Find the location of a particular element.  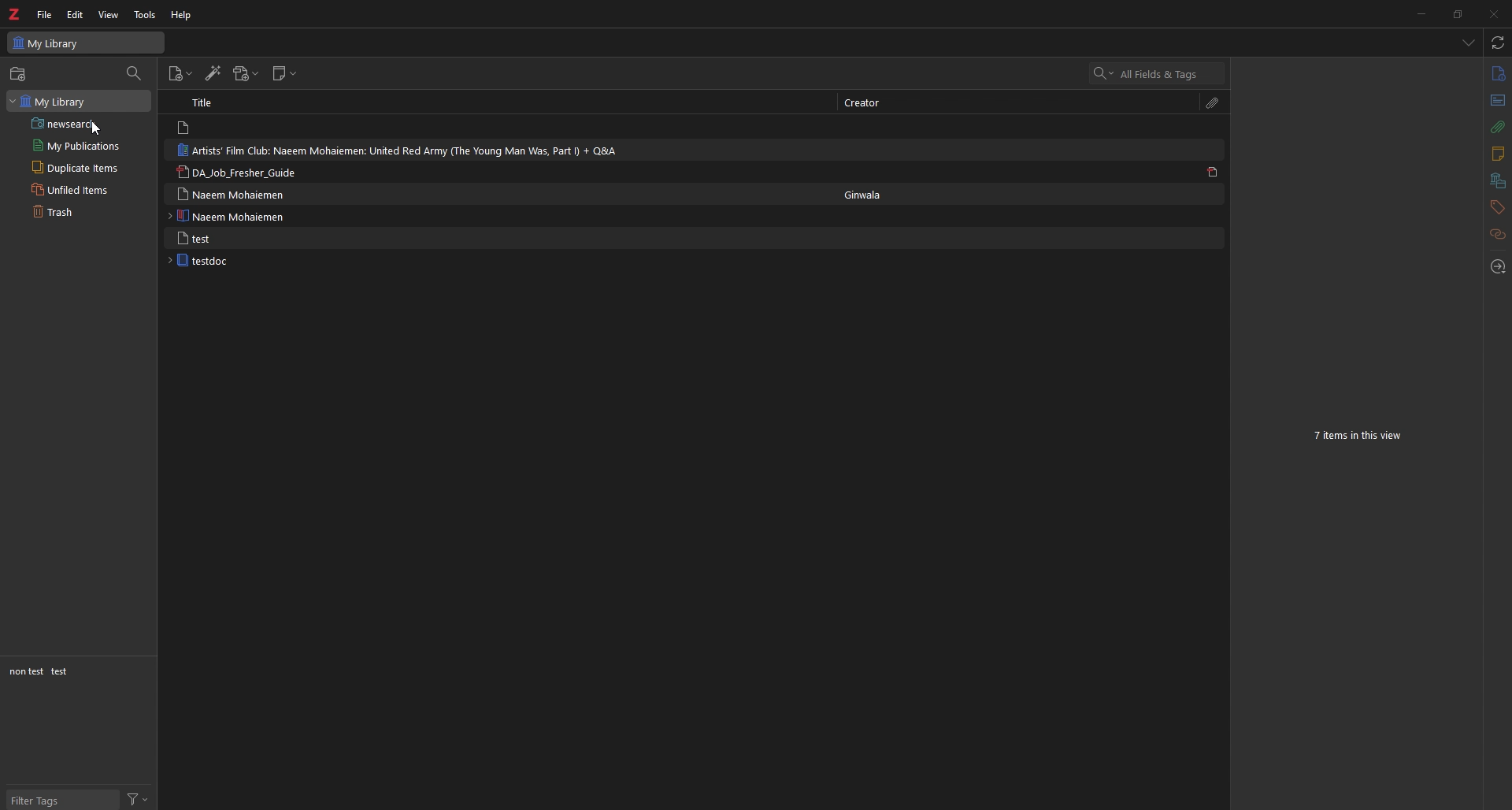

new note is located at coordinates (283, 73).